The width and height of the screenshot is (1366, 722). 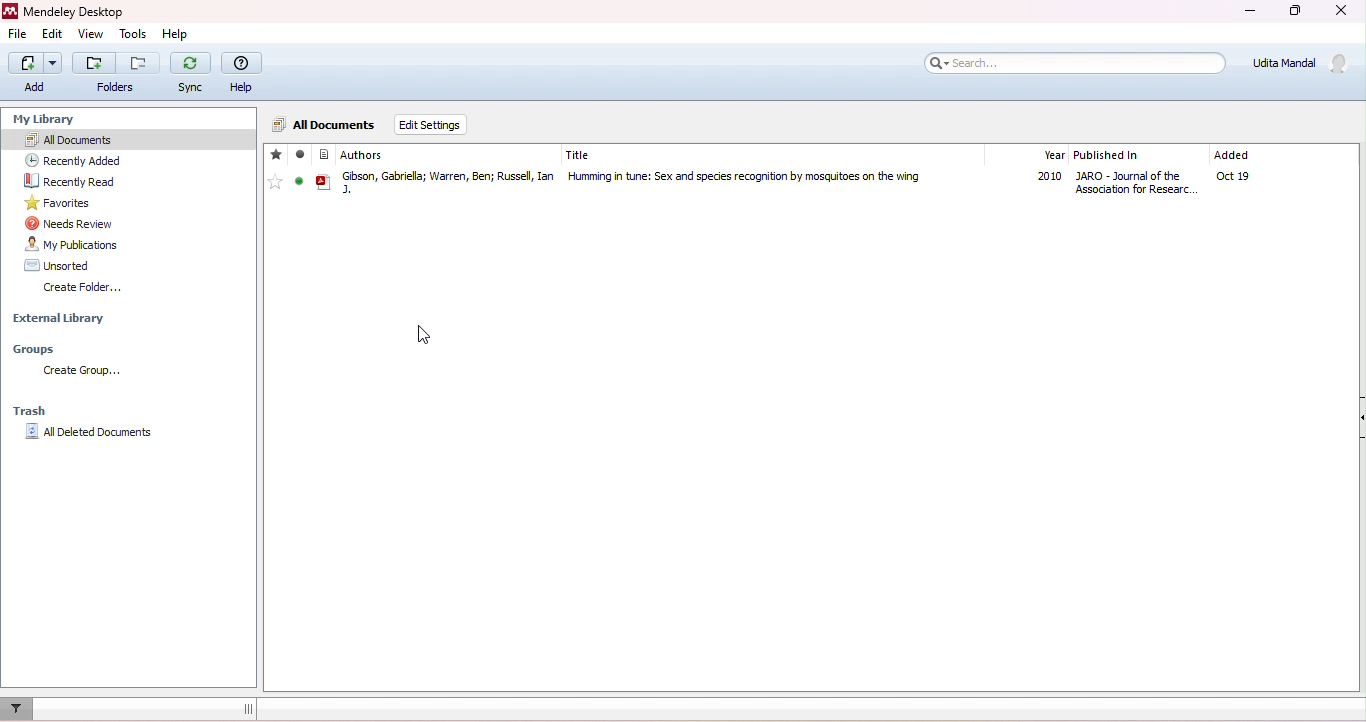 I want to click on favorite, so click(x=278, y=155).